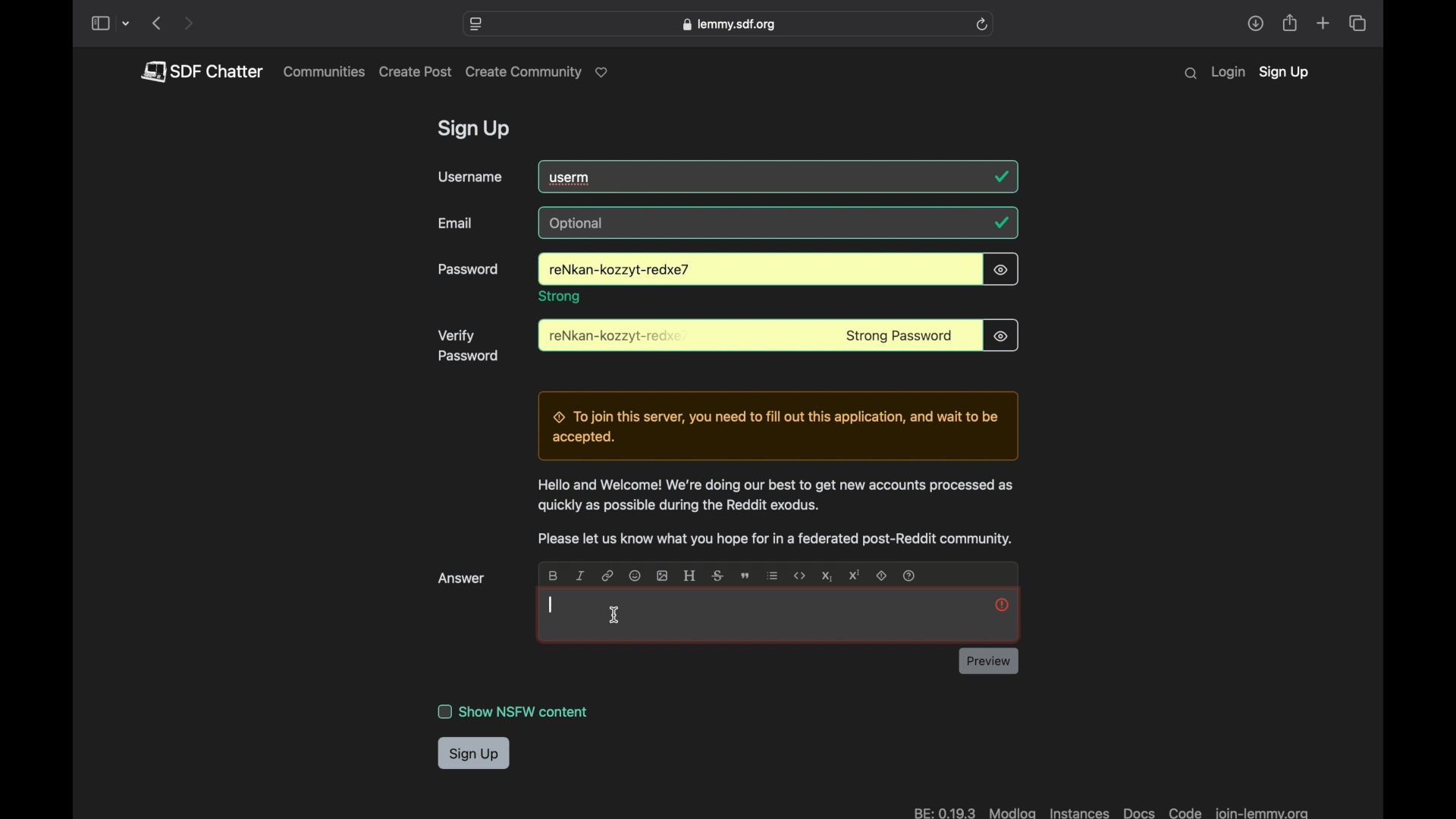  What do you see at coordinates (1003, 177) in the screenshot?
I see `tick mark` at bounding box center [1003, 177].